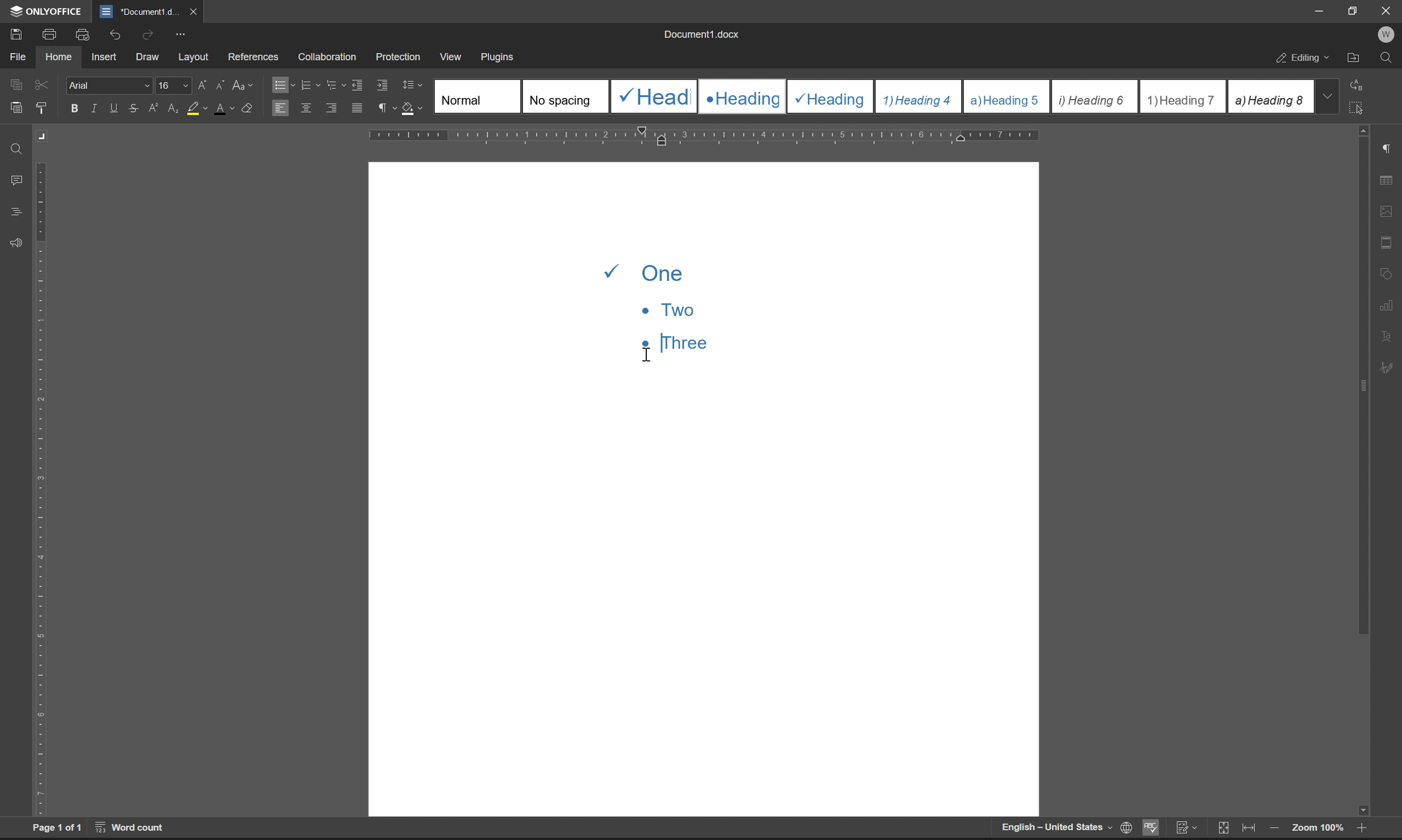  Describe the element at coordinates (84, 35) in the screenshot. I see `print preview` at that location.